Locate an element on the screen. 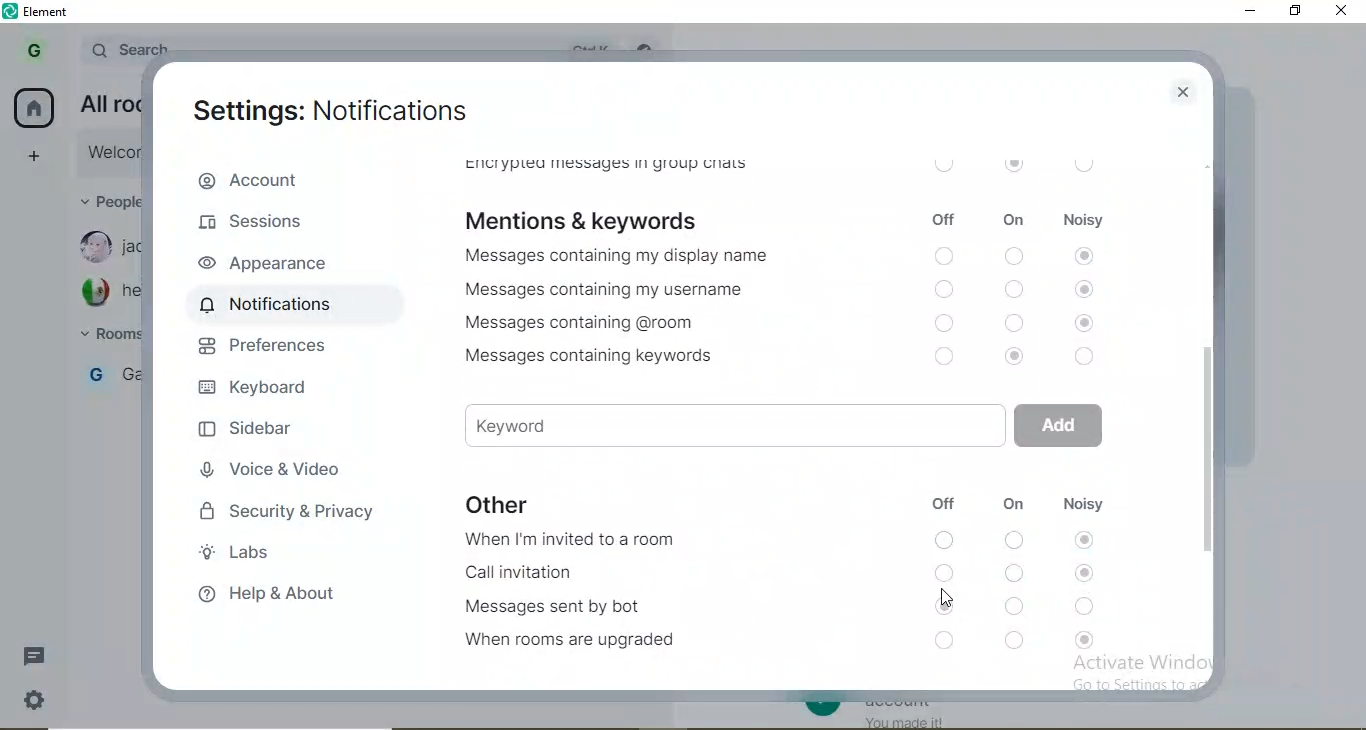 Image resolution: width=1366 pixels, height=730 pixels. switch on is located at coordinates (949, 605).